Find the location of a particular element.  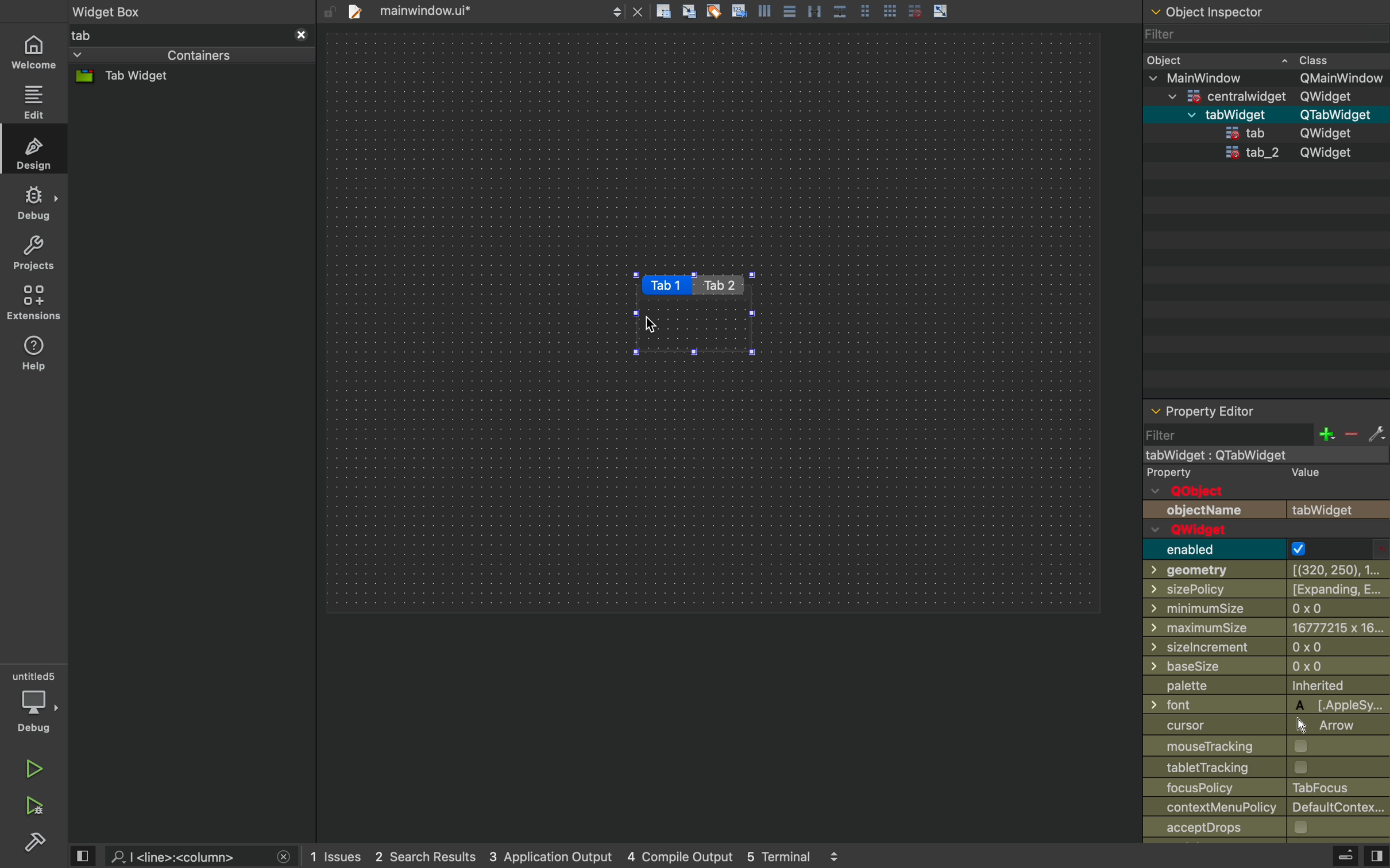

next/back is located at coordinates (616, 11).